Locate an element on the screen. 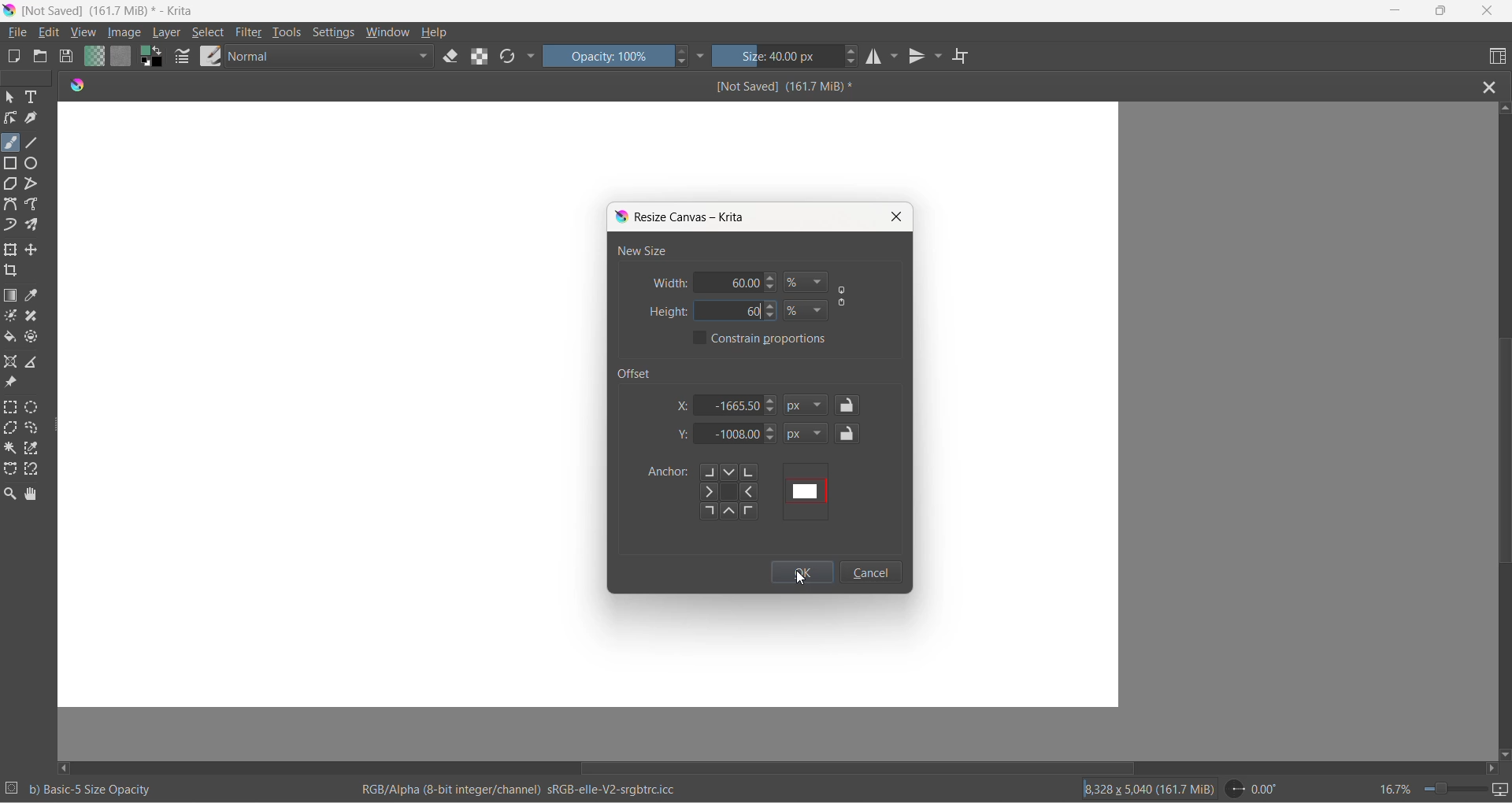 The height and width of the screenshot is (803, 1512). maximize is located at coordinates (1440, 11).